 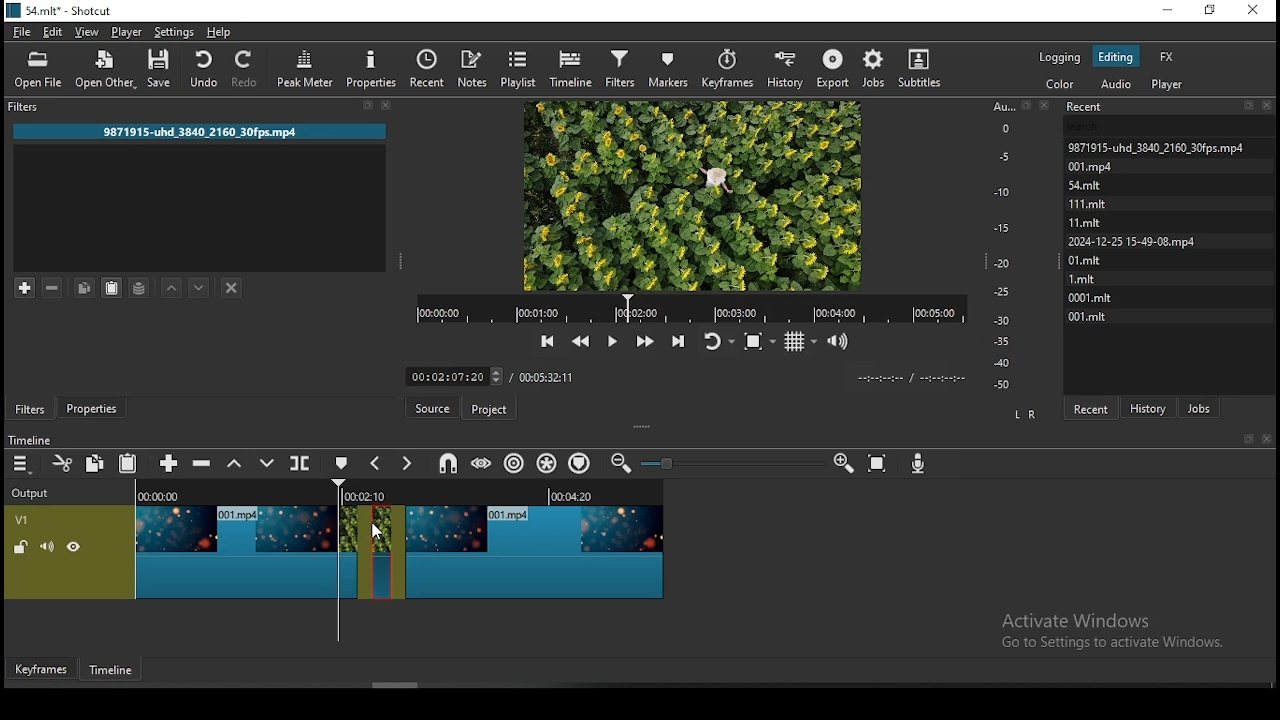 What do you see at coordinates (753, 341) in the screenshot?
I see `toggle zoo` at bounding box center [753, 341].